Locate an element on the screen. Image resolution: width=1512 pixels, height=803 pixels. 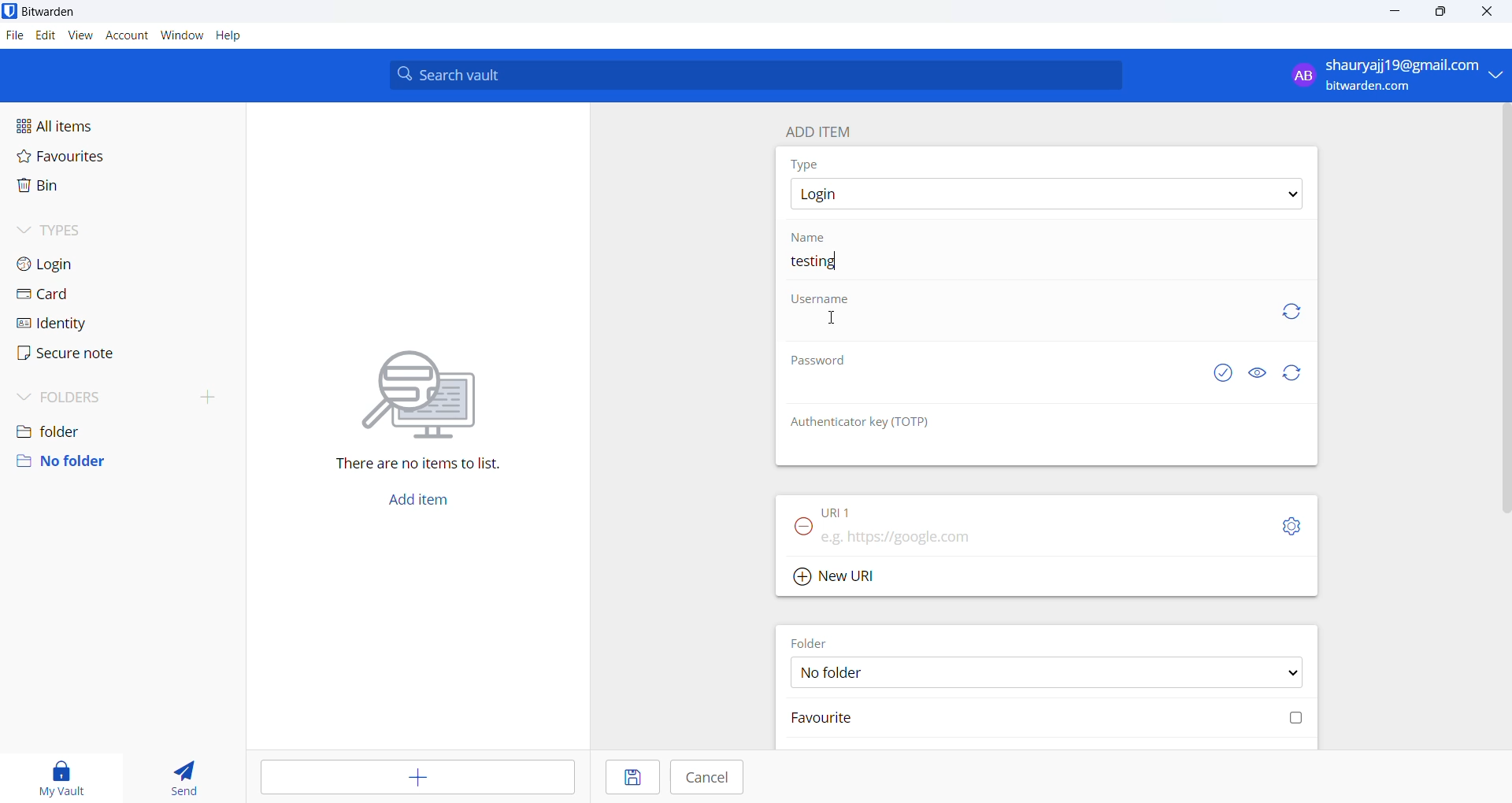
help is located at coordinates (231, 37).